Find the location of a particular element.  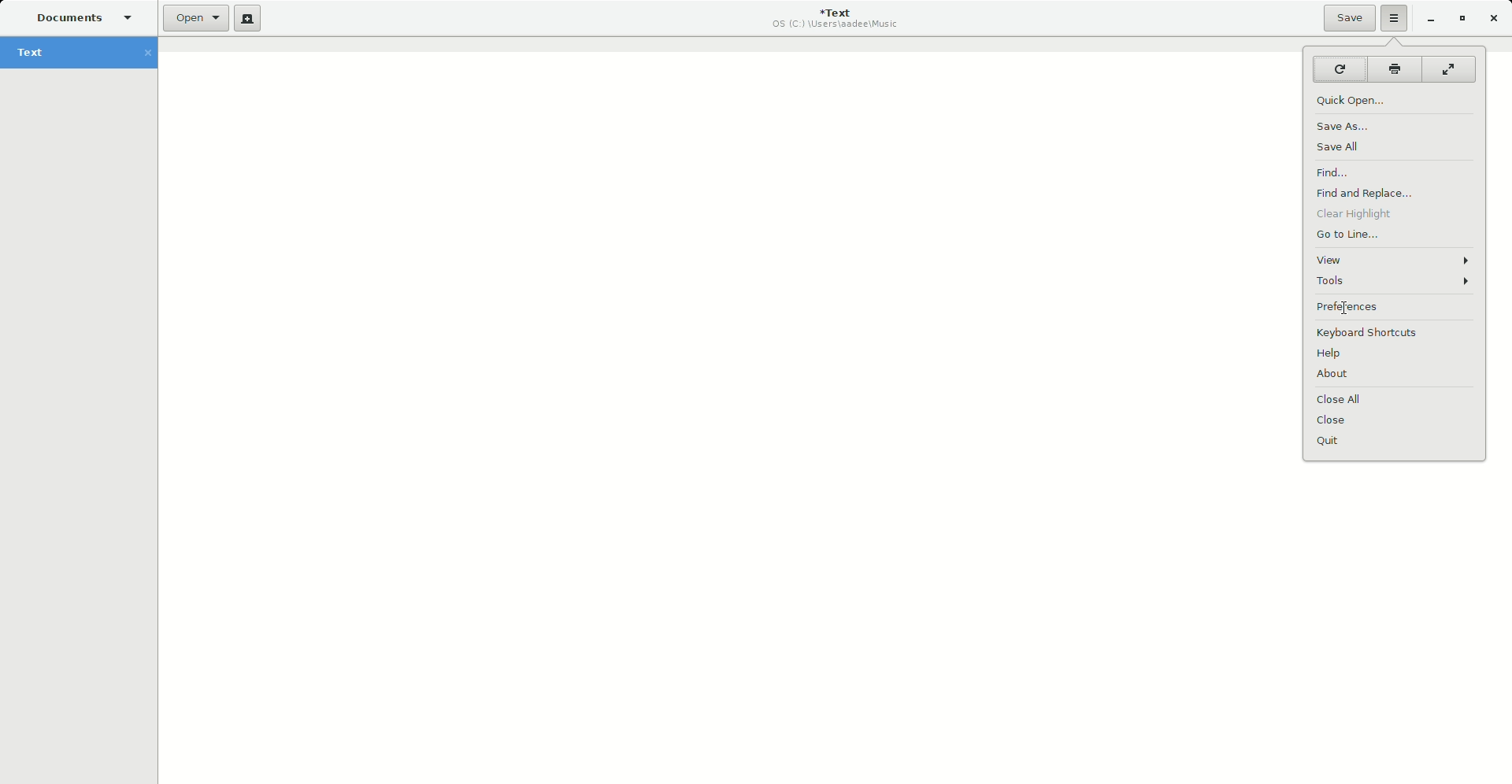

Save is located at coordinates (1349, 18).